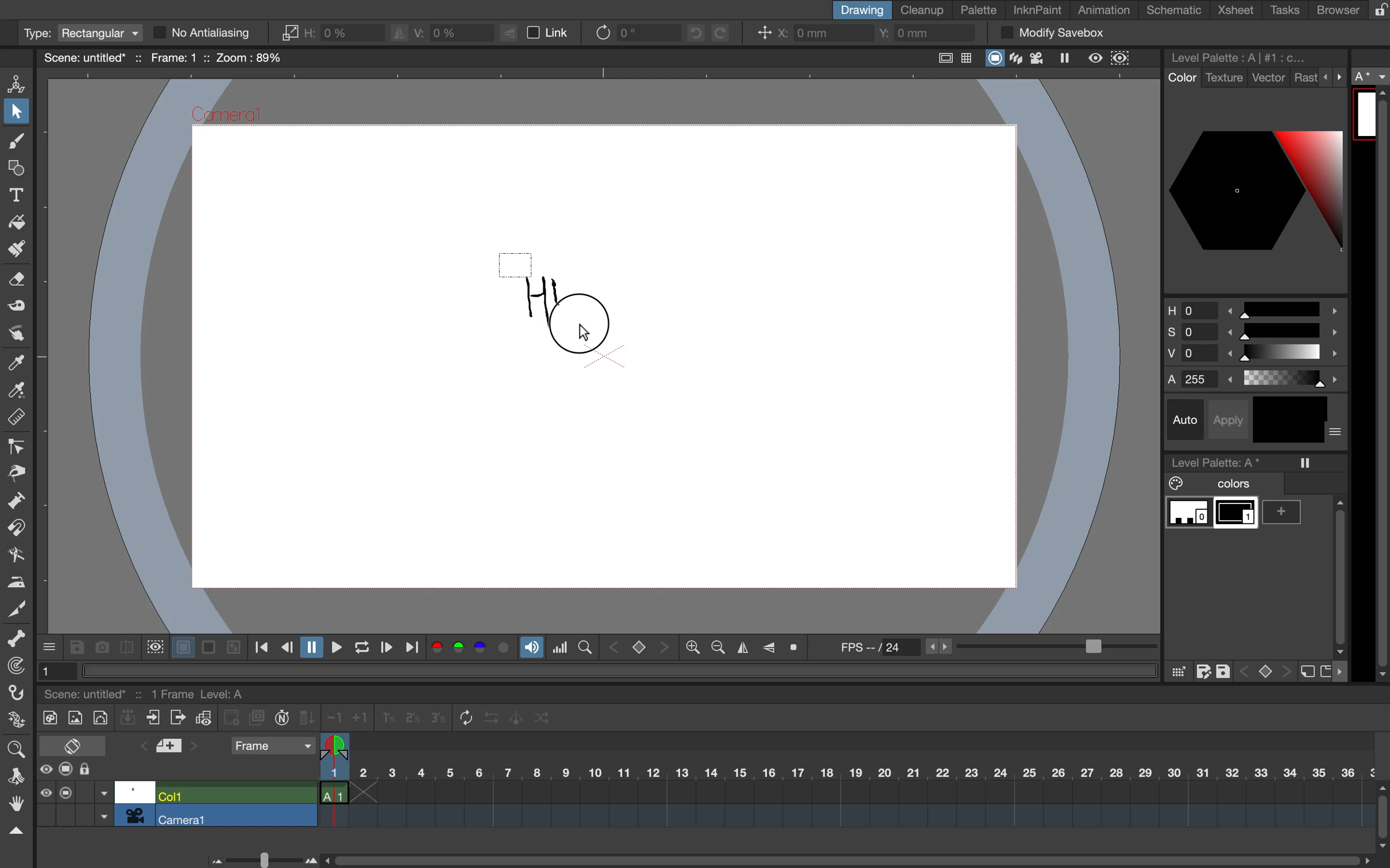 Image resolution: width=1390 pixels, height=868 pixels. What do you see at coordinates (414, 648) in the screenshot?
I see `last frame` at bounding box center [414, 648].